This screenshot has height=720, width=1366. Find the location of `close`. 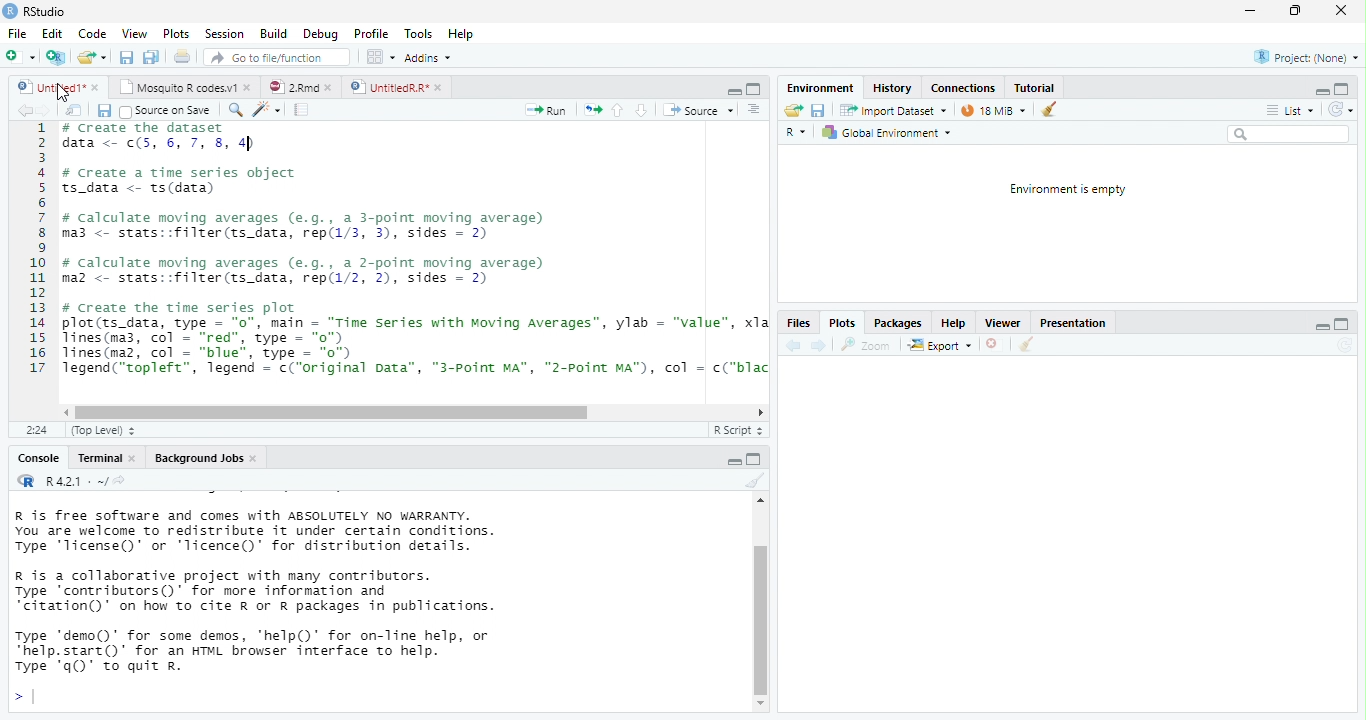

close is located at coordinates (136, 459).